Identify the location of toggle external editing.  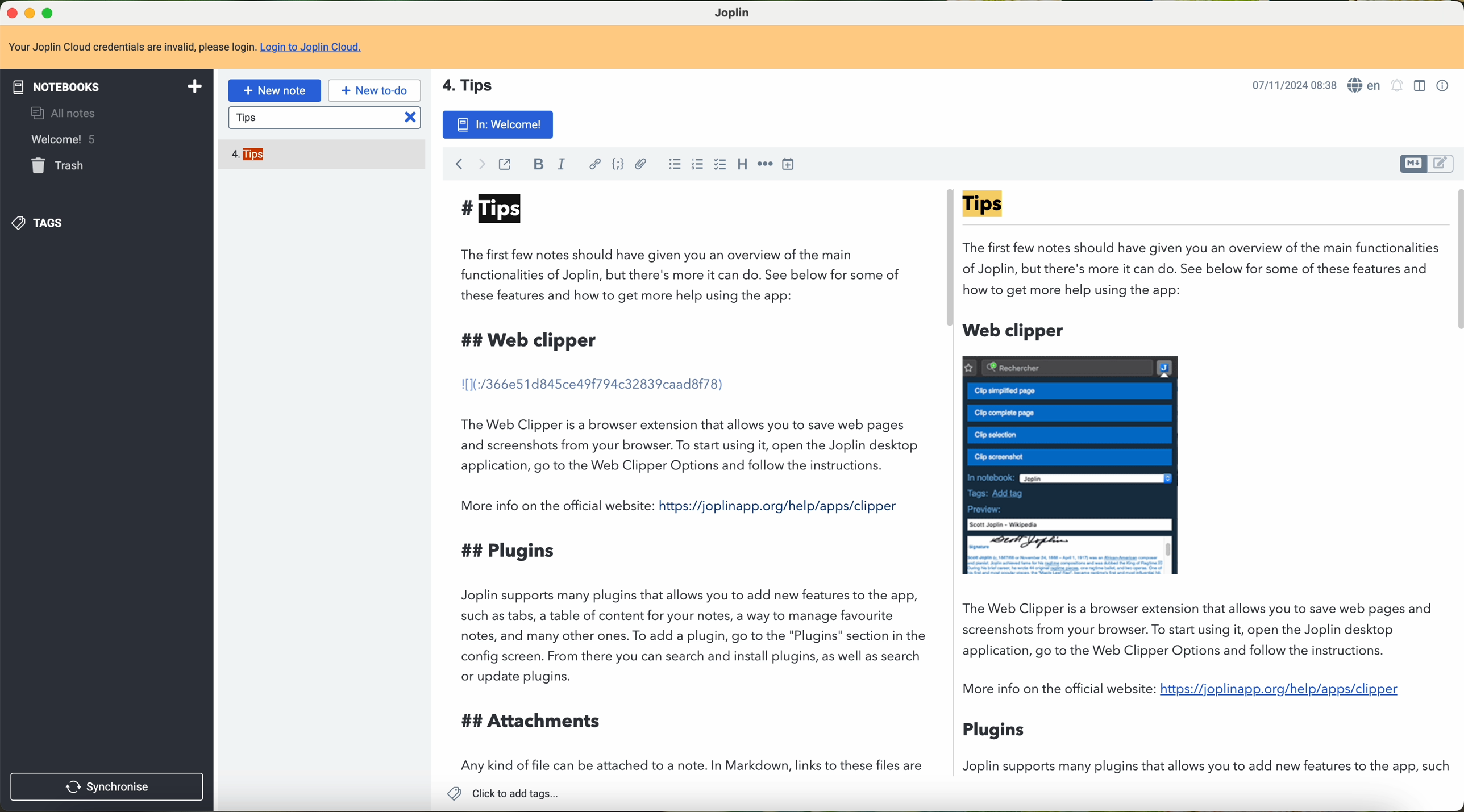
(506, 165).